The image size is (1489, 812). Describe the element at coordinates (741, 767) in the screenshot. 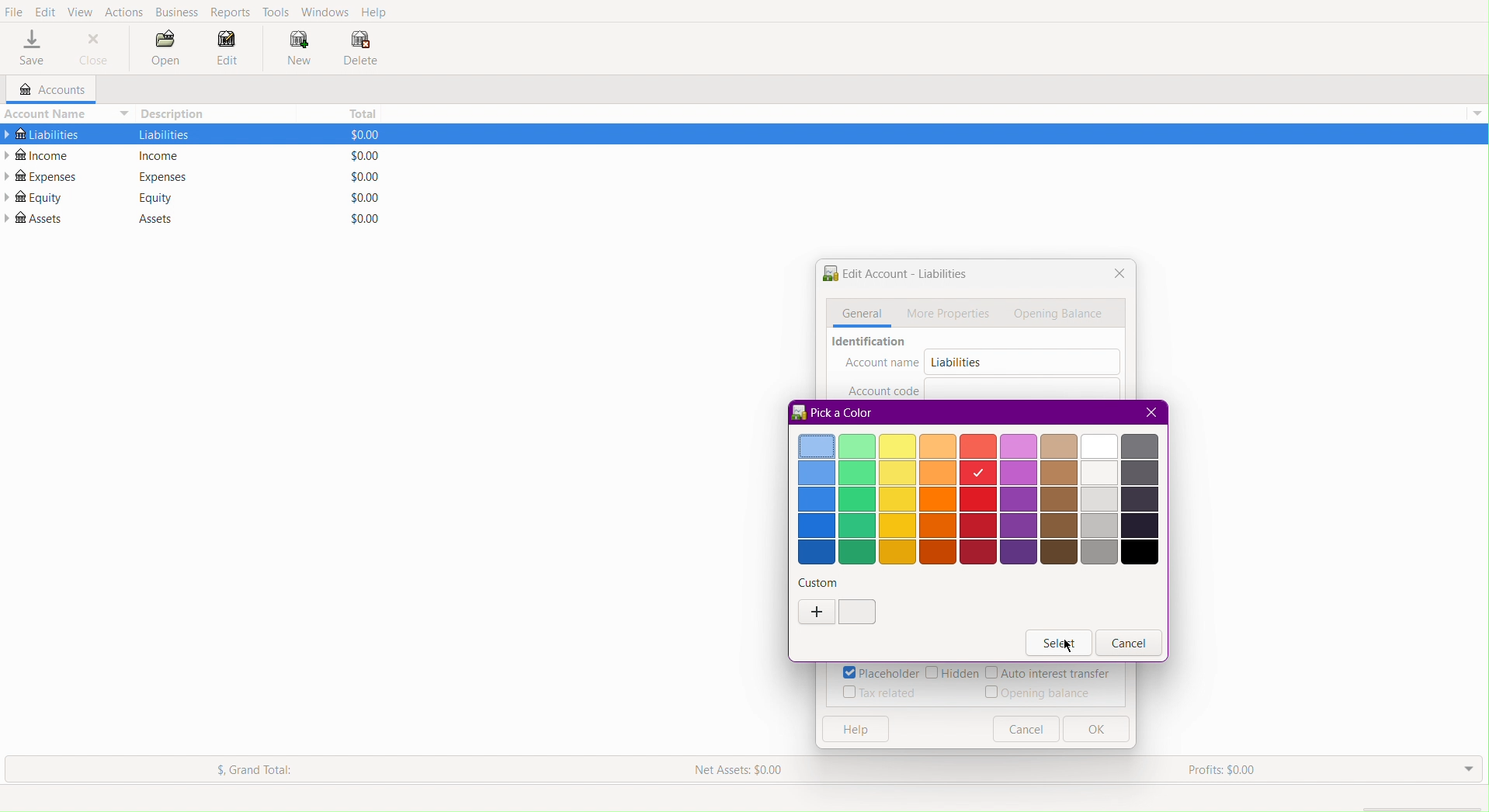

I see `Net Assets` at that location.